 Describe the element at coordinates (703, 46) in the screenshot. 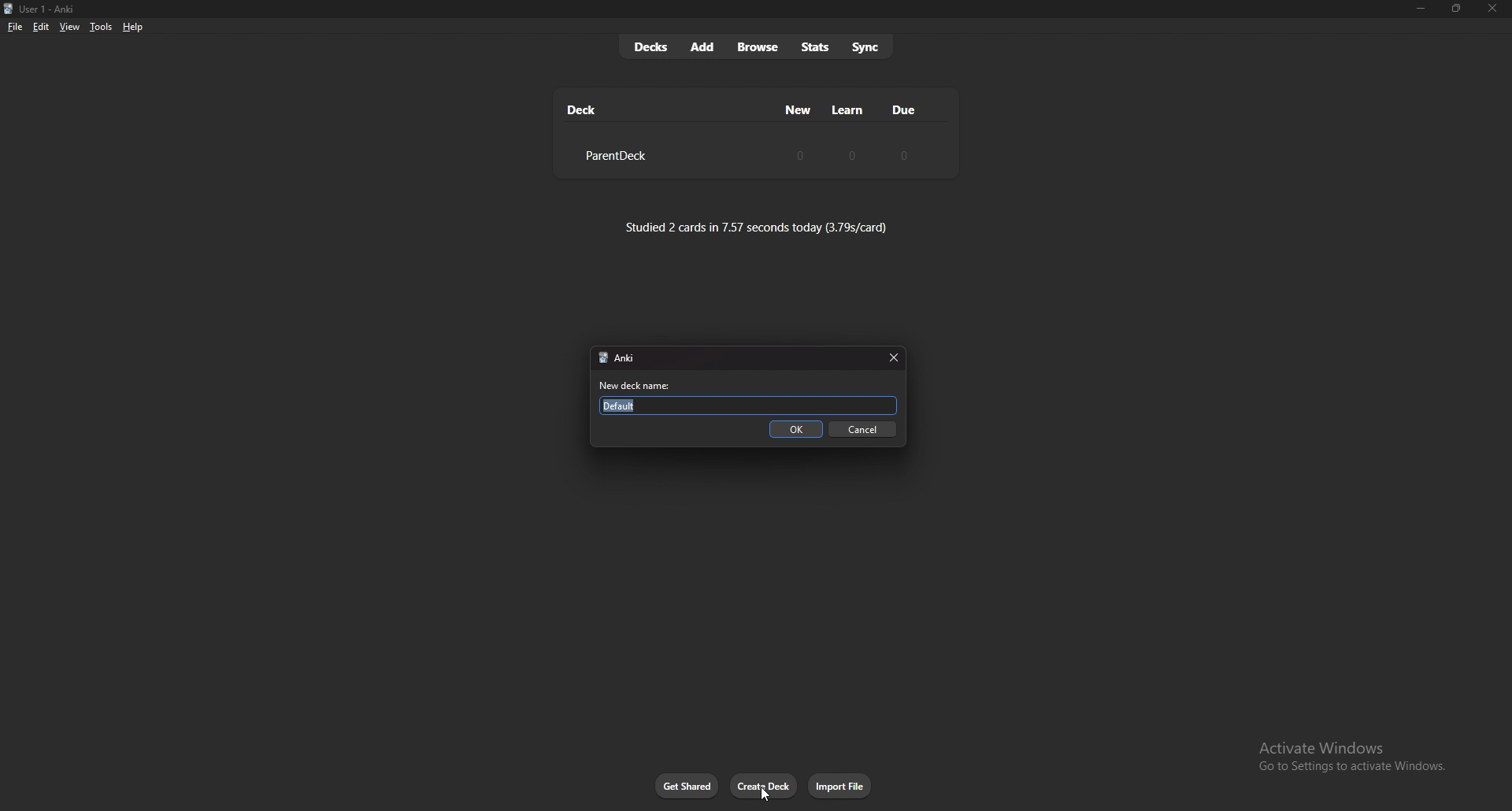

I see `add` at that location.